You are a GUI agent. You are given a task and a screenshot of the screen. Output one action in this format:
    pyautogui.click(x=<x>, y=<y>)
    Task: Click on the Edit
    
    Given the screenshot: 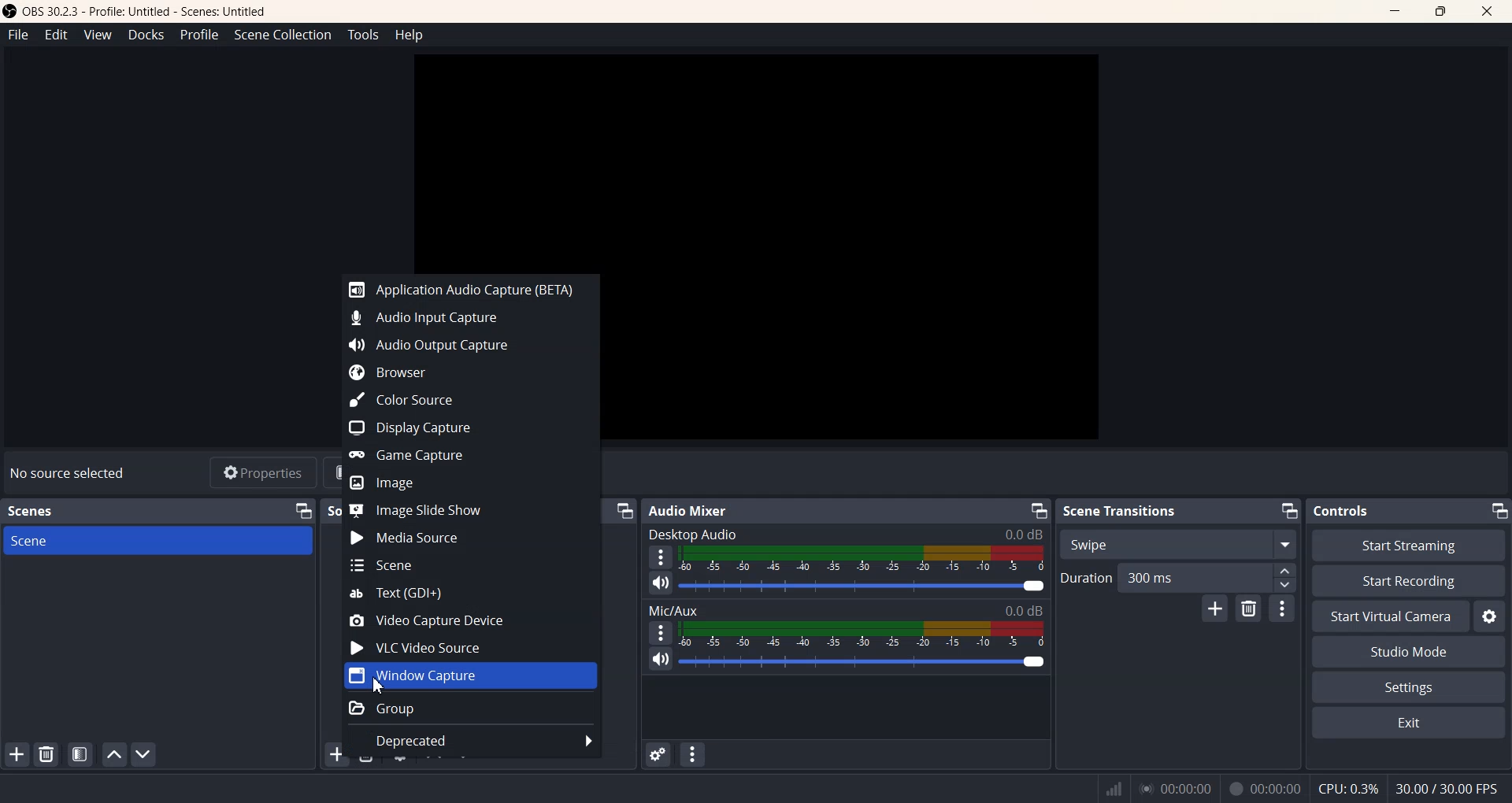 What is the action you would take?
    pyautogui.click(x=57, y=35)
    